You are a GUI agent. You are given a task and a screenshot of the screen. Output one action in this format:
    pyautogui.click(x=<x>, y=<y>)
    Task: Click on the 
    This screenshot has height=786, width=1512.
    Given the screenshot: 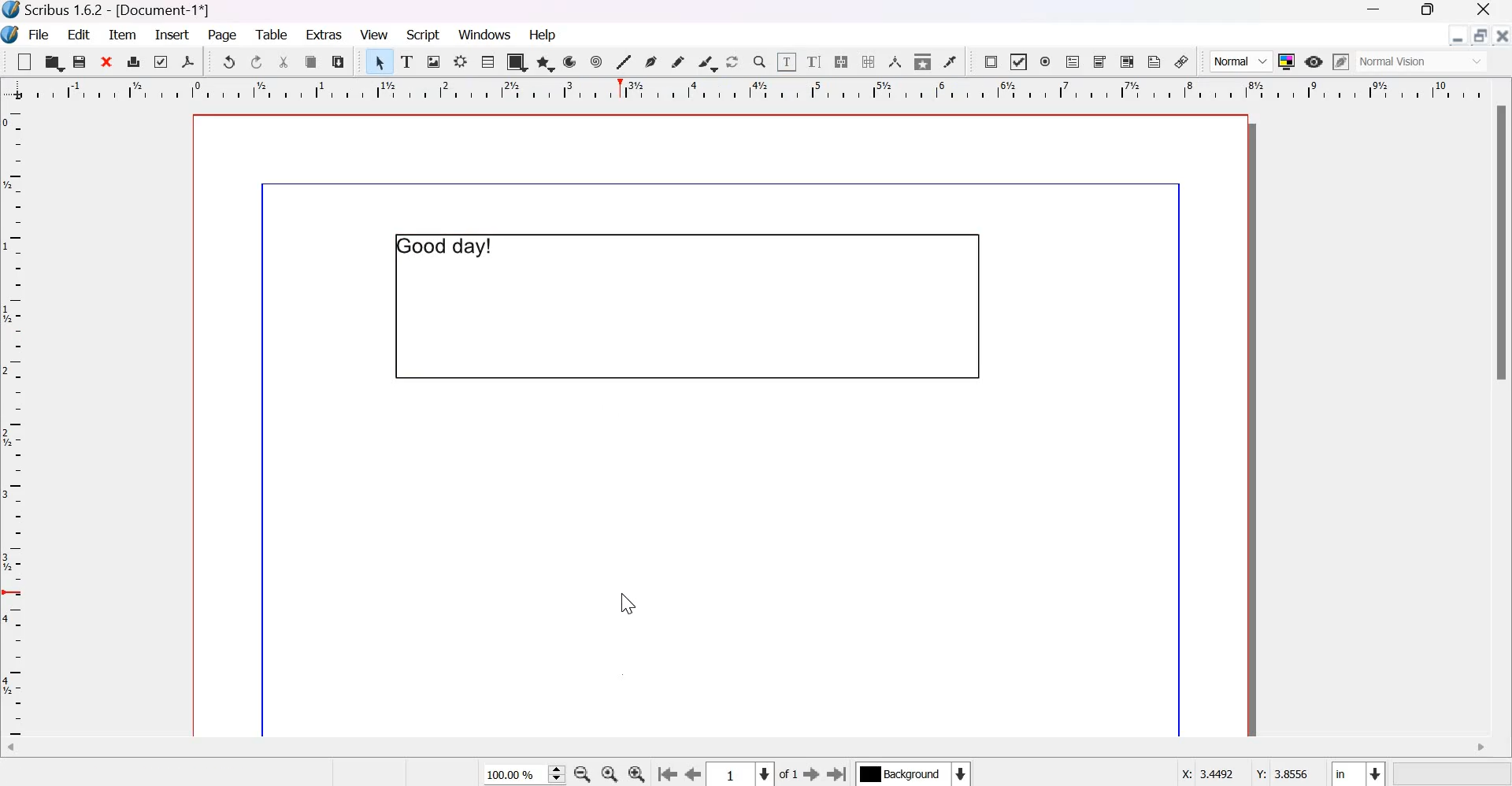 What is the action you would take?
    pyautogui.click(x=759, y=61)
    